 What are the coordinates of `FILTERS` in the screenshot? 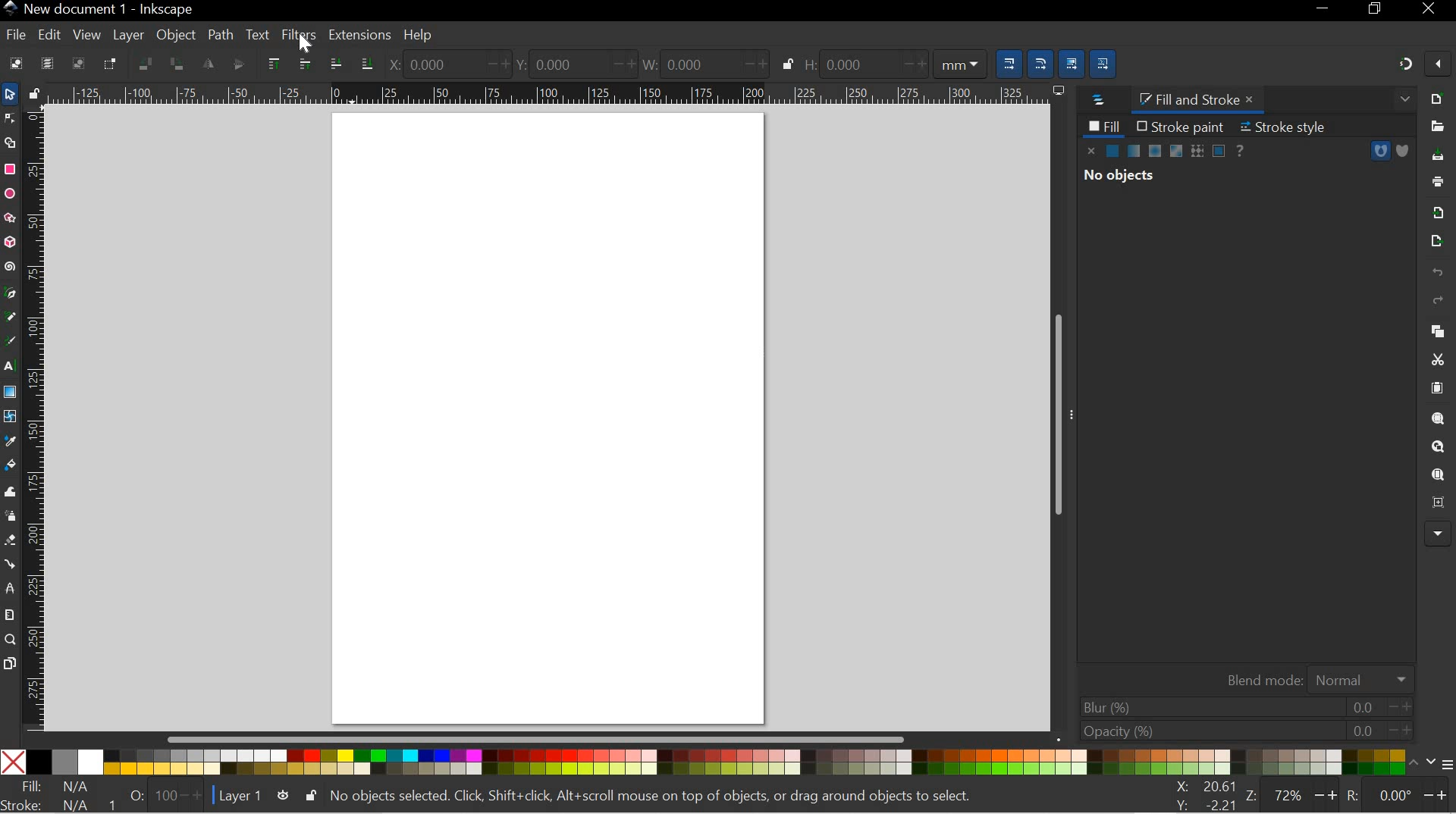 It's located at (297, 33).